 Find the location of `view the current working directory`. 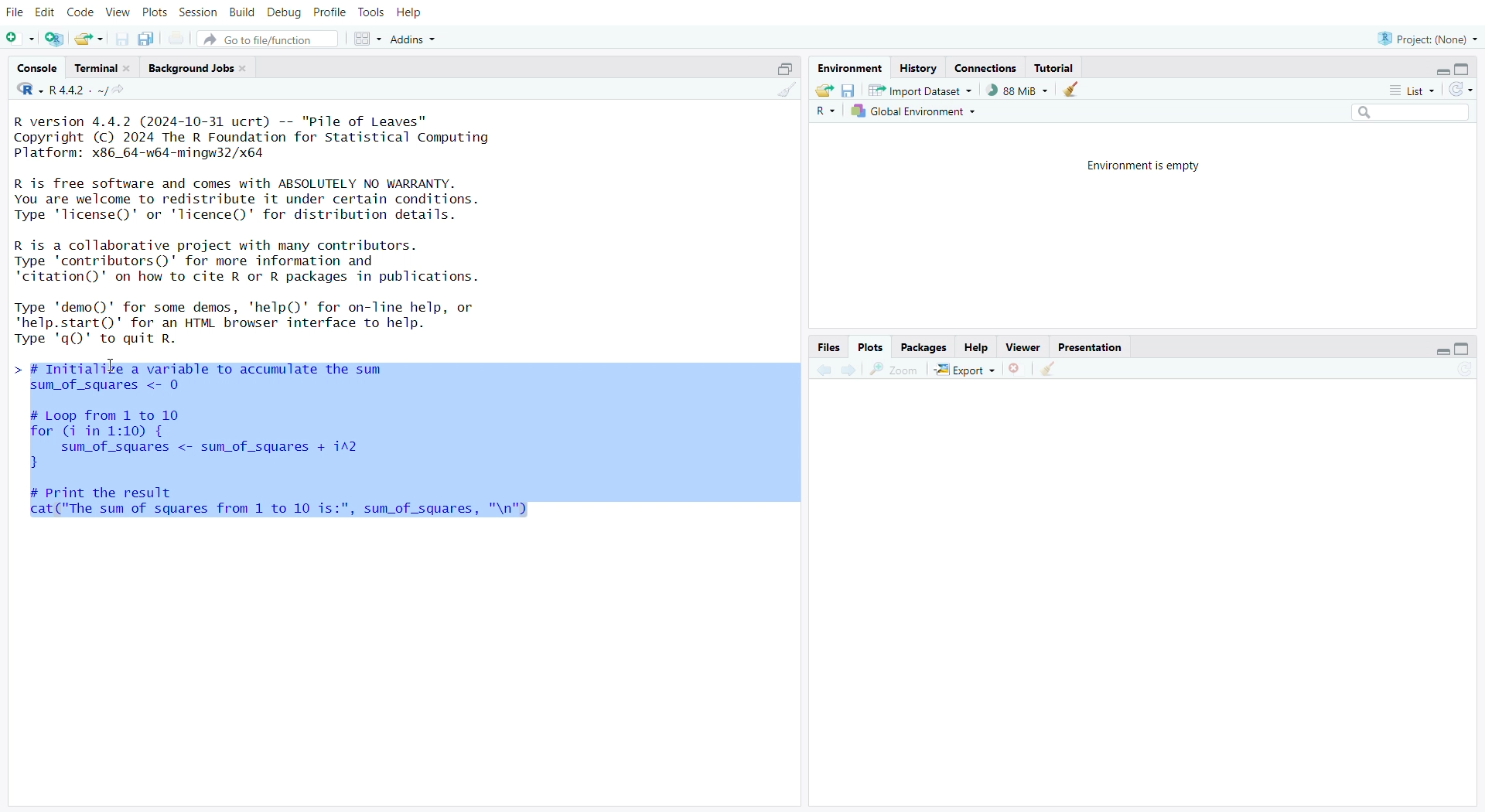

view the current working directory is located at coordinates (121, 90).